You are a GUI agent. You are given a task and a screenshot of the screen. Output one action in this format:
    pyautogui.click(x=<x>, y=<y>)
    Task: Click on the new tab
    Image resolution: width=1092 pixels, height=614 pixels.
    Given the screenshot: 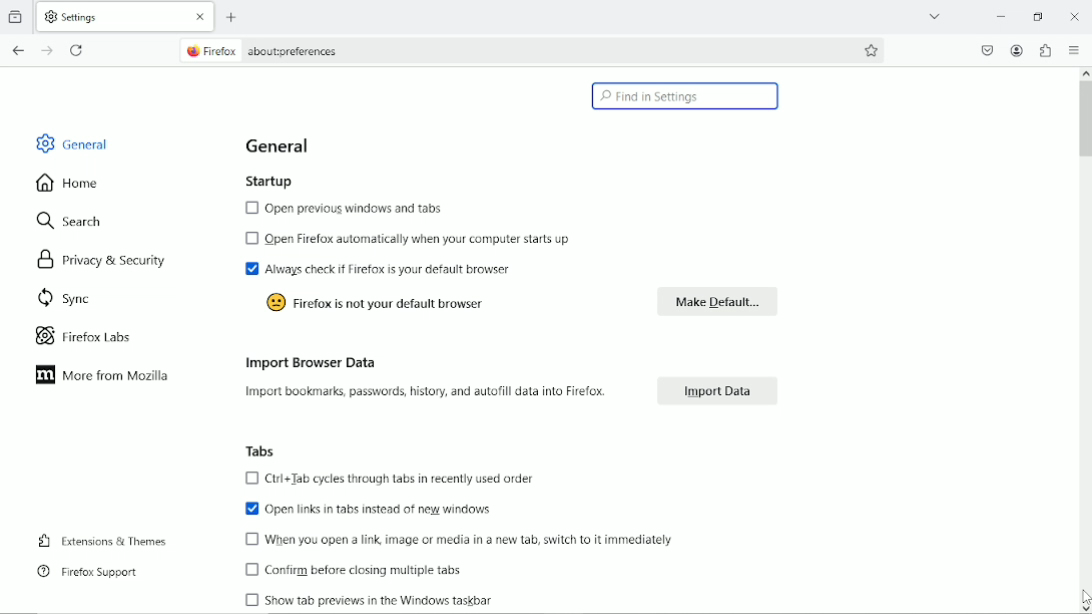 What is the action you would take?
    pyautogui.click(x=233, y=17)
    